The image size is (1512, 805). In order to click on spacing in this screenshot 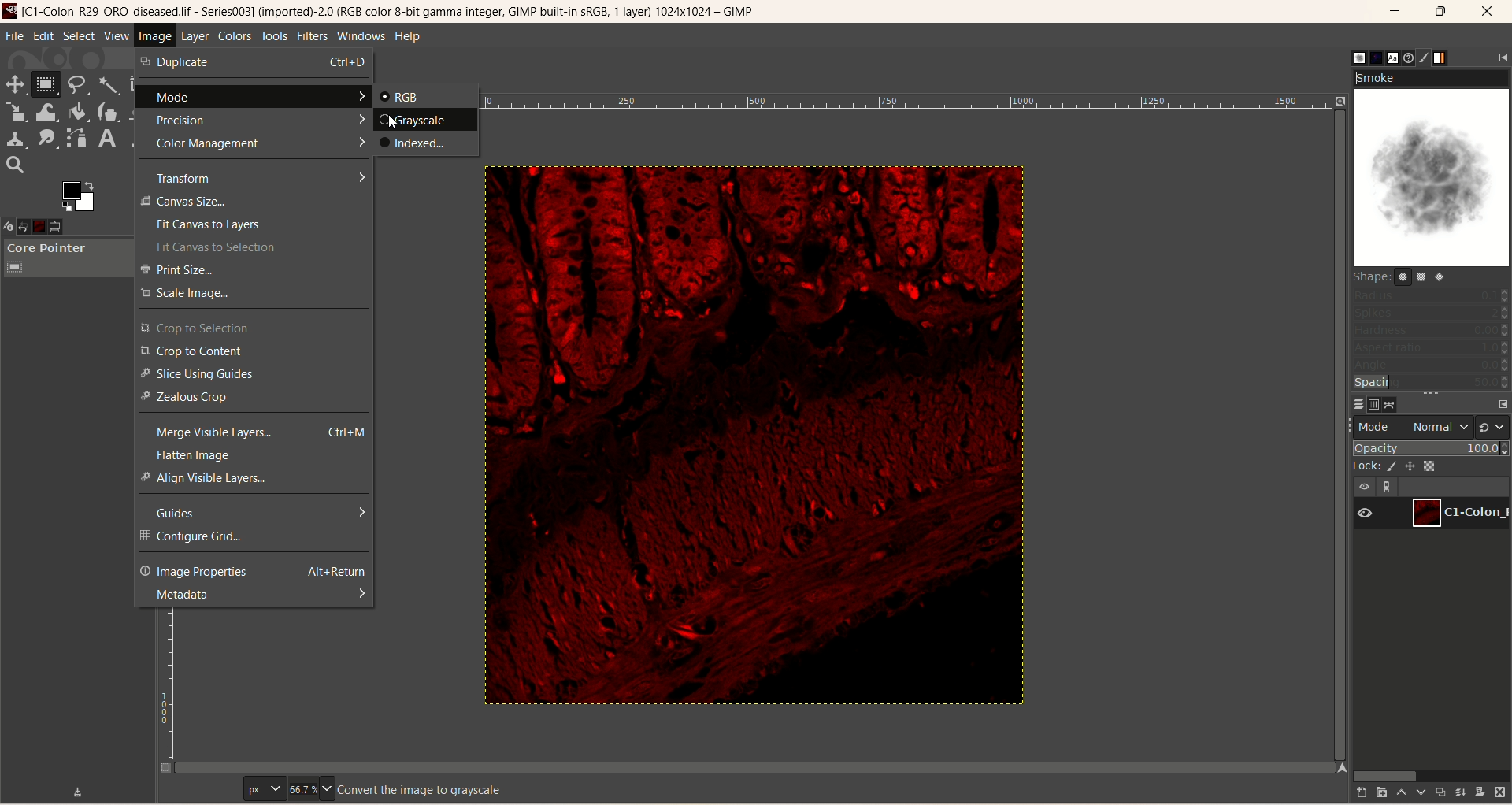, I will do `click(1431, 383)`.